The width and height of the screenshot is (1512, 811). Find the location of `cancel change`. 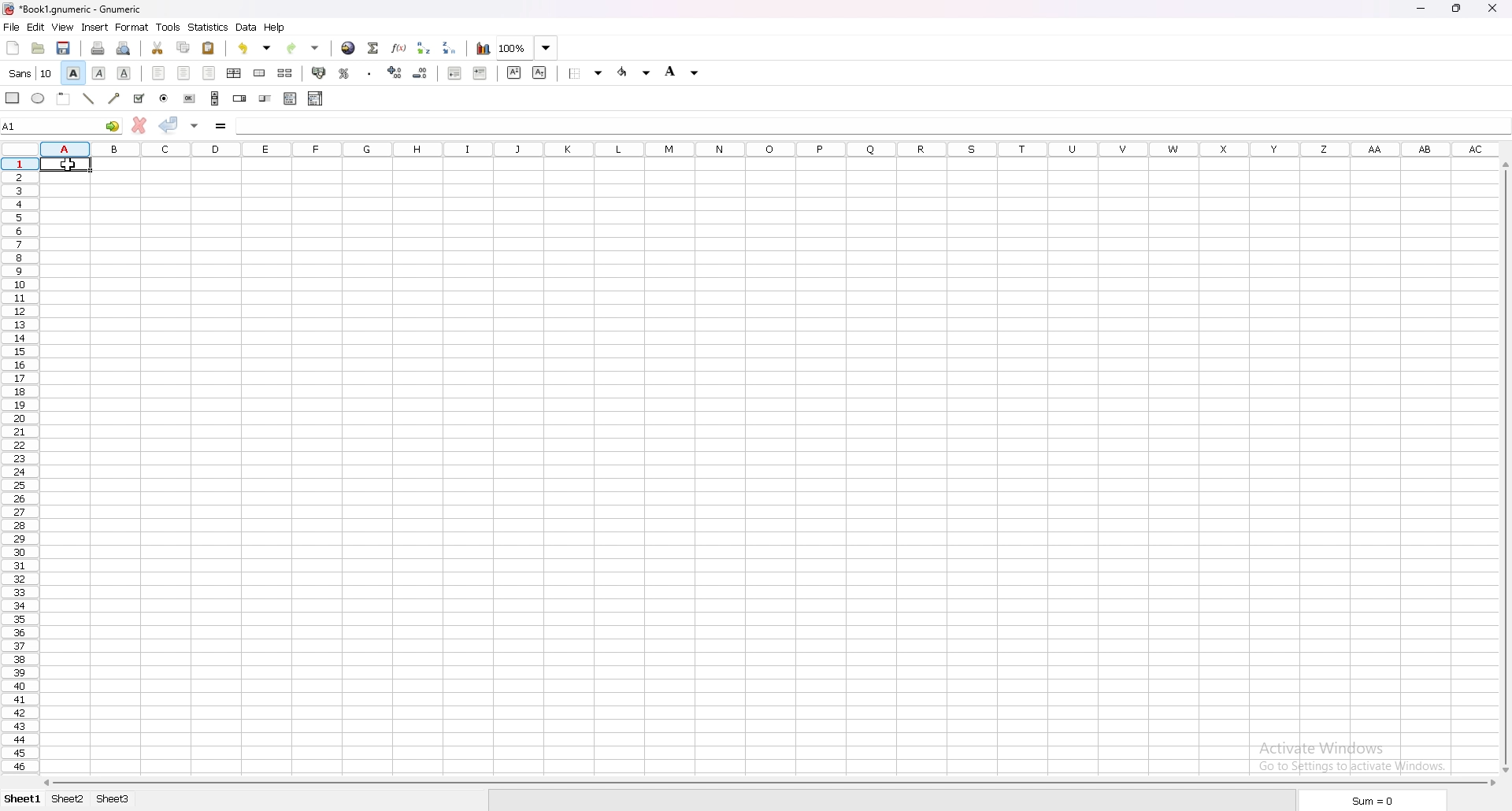

cancel change is located at coordinates (140, 125).